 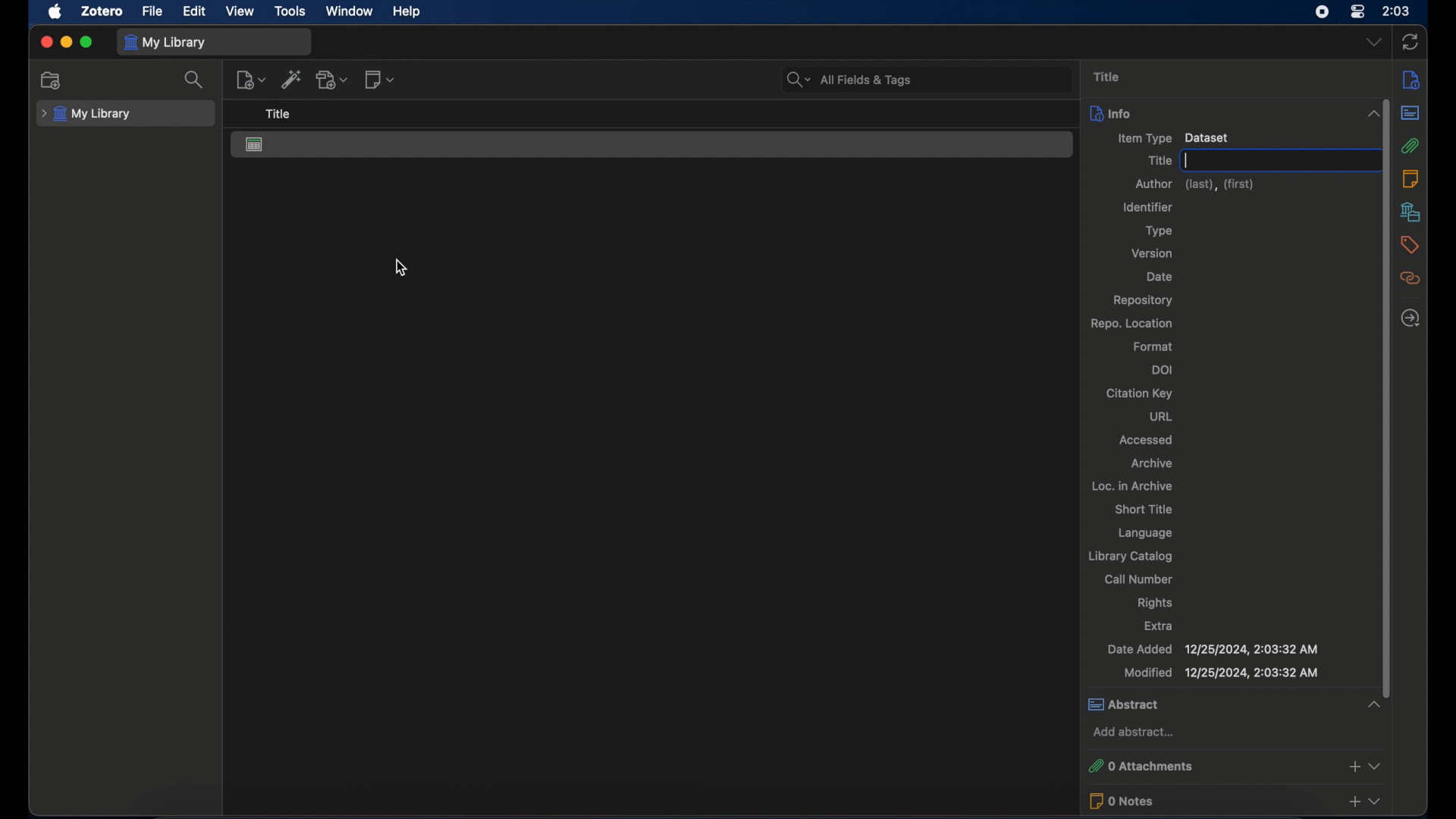 I want to click on libraries, so click(x=1410, y=212).